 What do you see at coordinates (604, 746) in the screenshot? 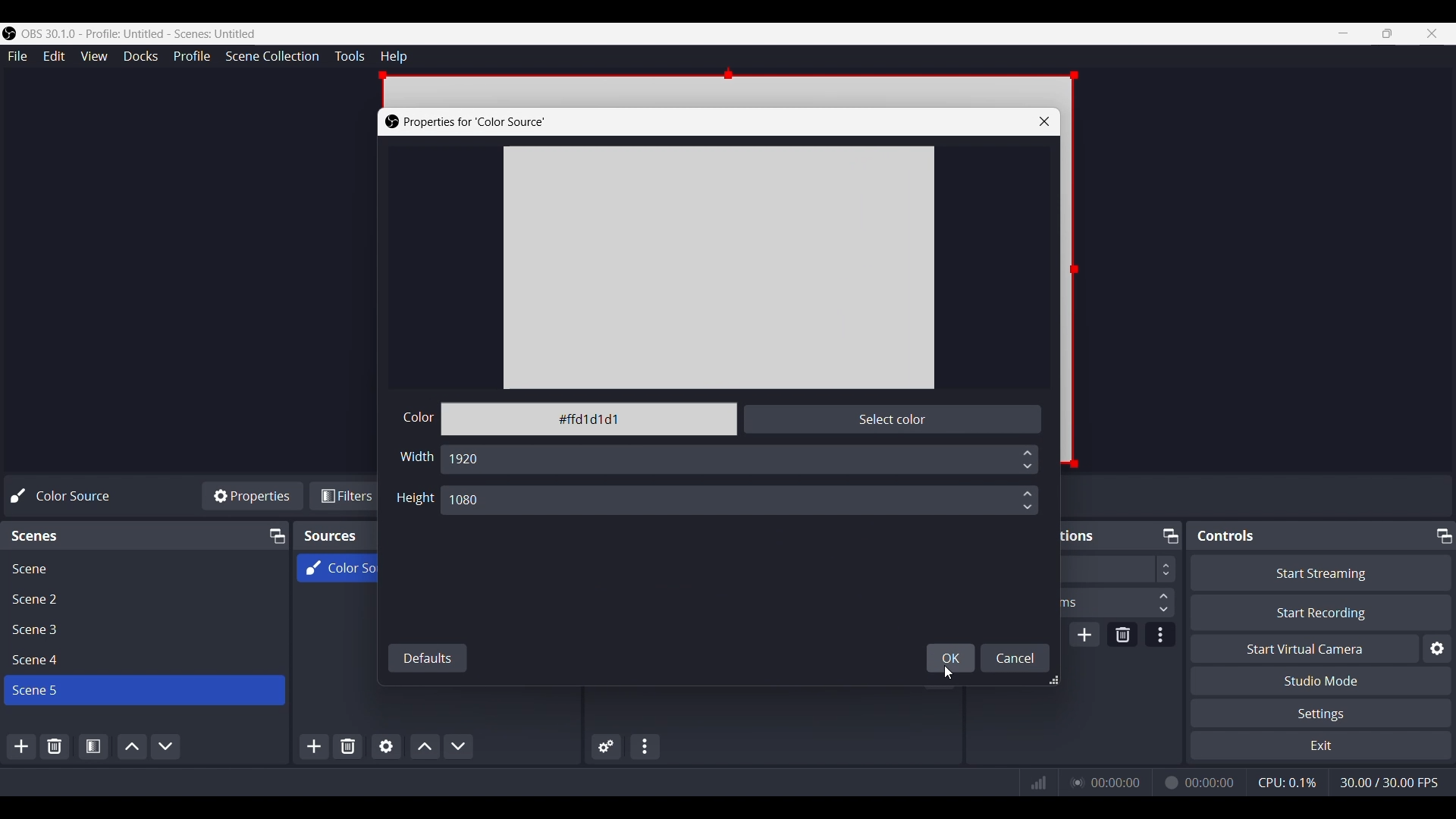
I see `Advance audio properties` at bounding box center [604, 746].